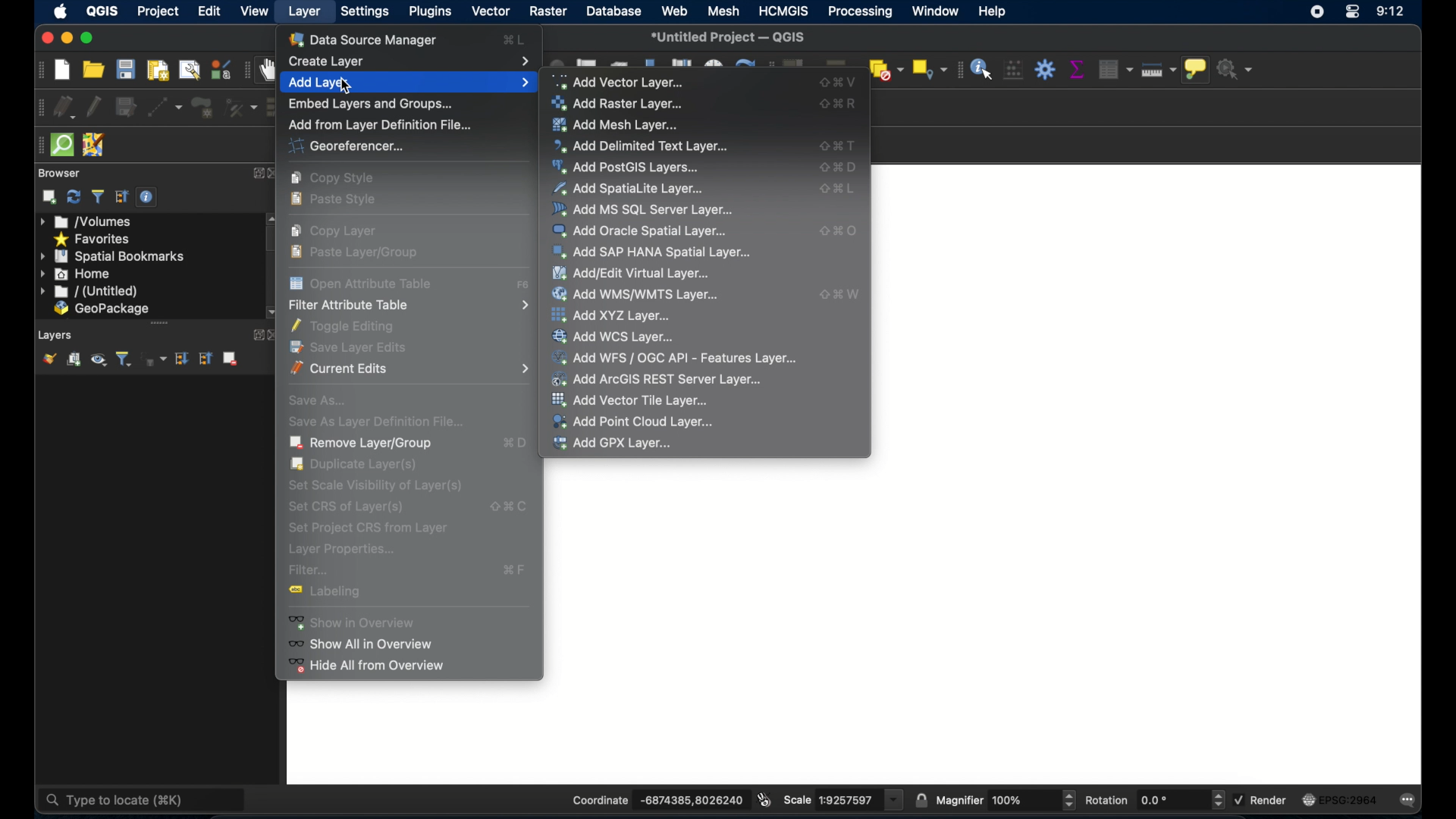 Image resolution: width=1456 pixels, height=819 pixels. Describe the element at coordinates (785, 11) in the screenshot. I see `HCMGIS` at that location.